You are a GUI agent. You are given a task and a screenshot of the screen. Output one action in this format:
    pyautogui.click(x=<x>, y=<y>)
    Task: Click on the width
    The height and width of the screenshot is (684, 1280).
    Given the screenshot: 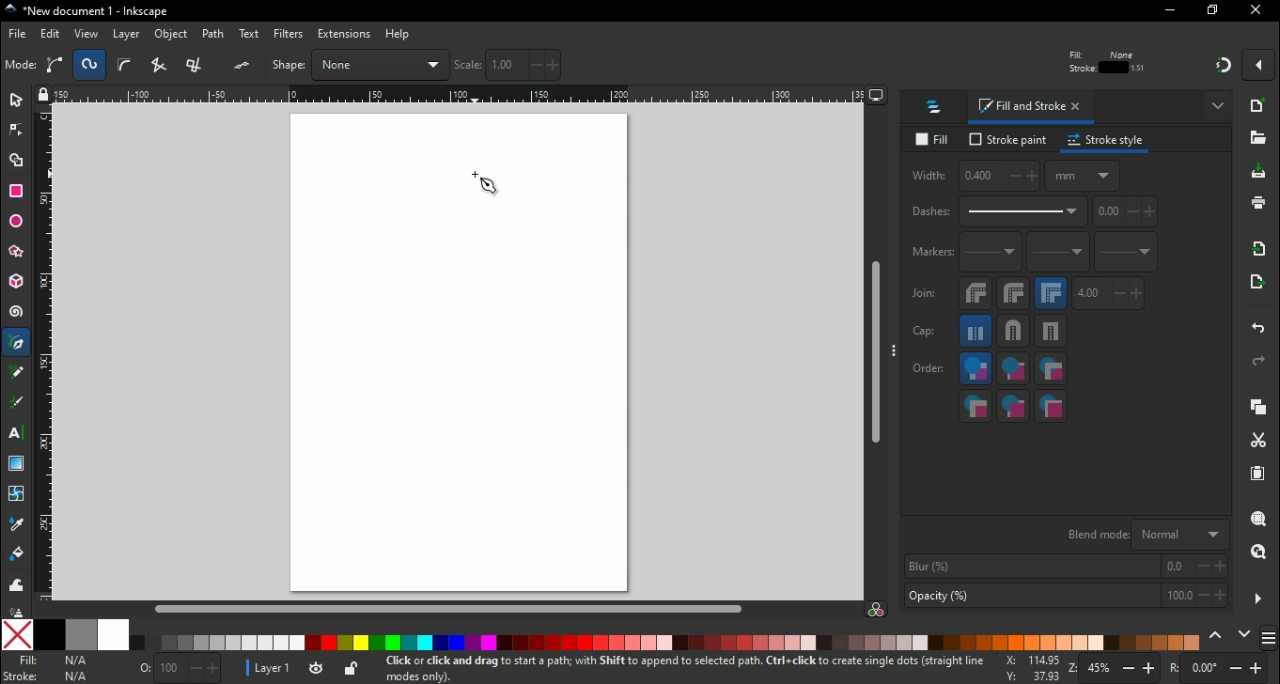 What is the action you would take?
    pyautogui.click(x=976, y=179)
    